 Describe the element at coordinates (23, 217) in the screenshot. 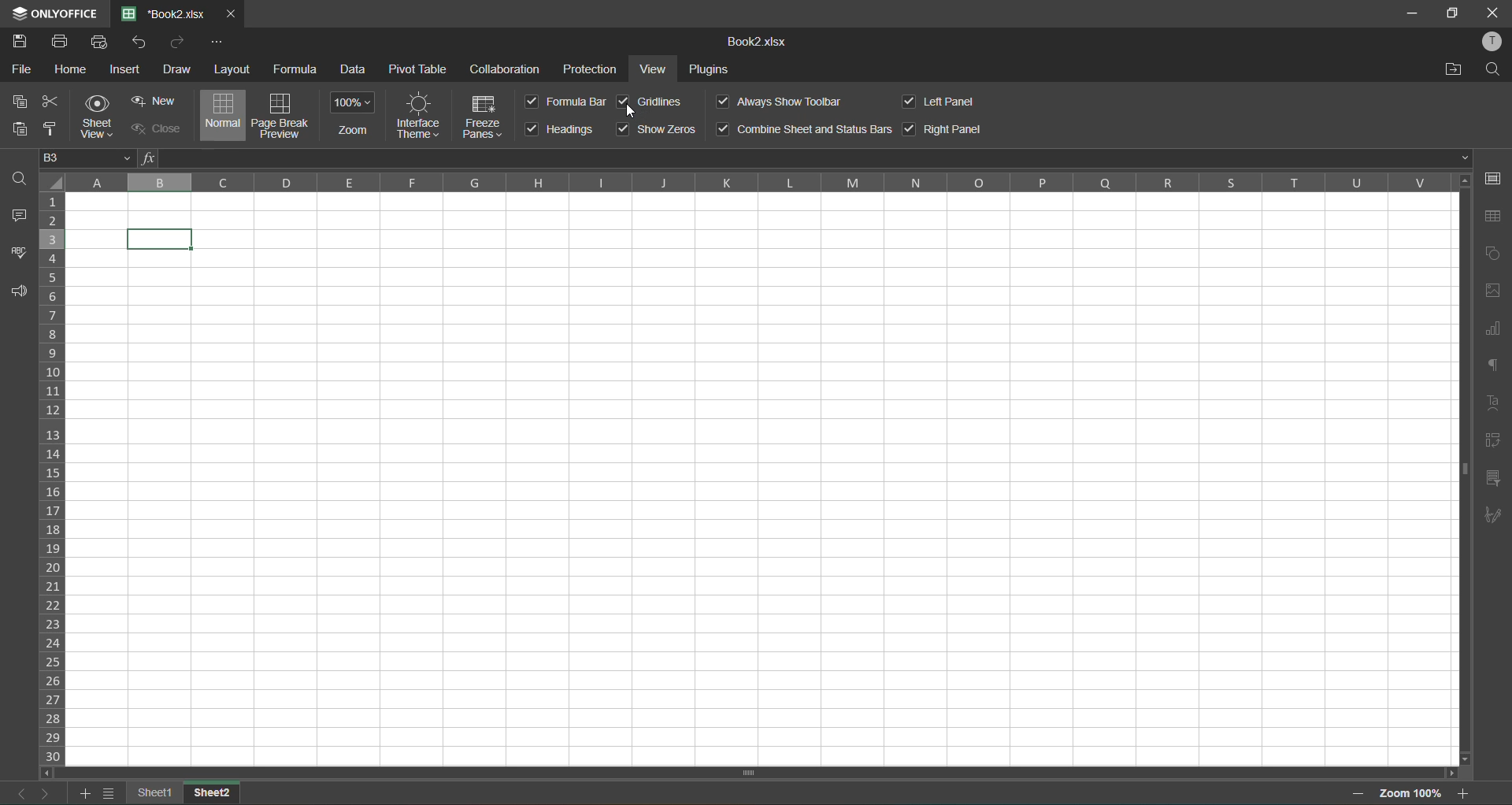

I see `comments` at that location.